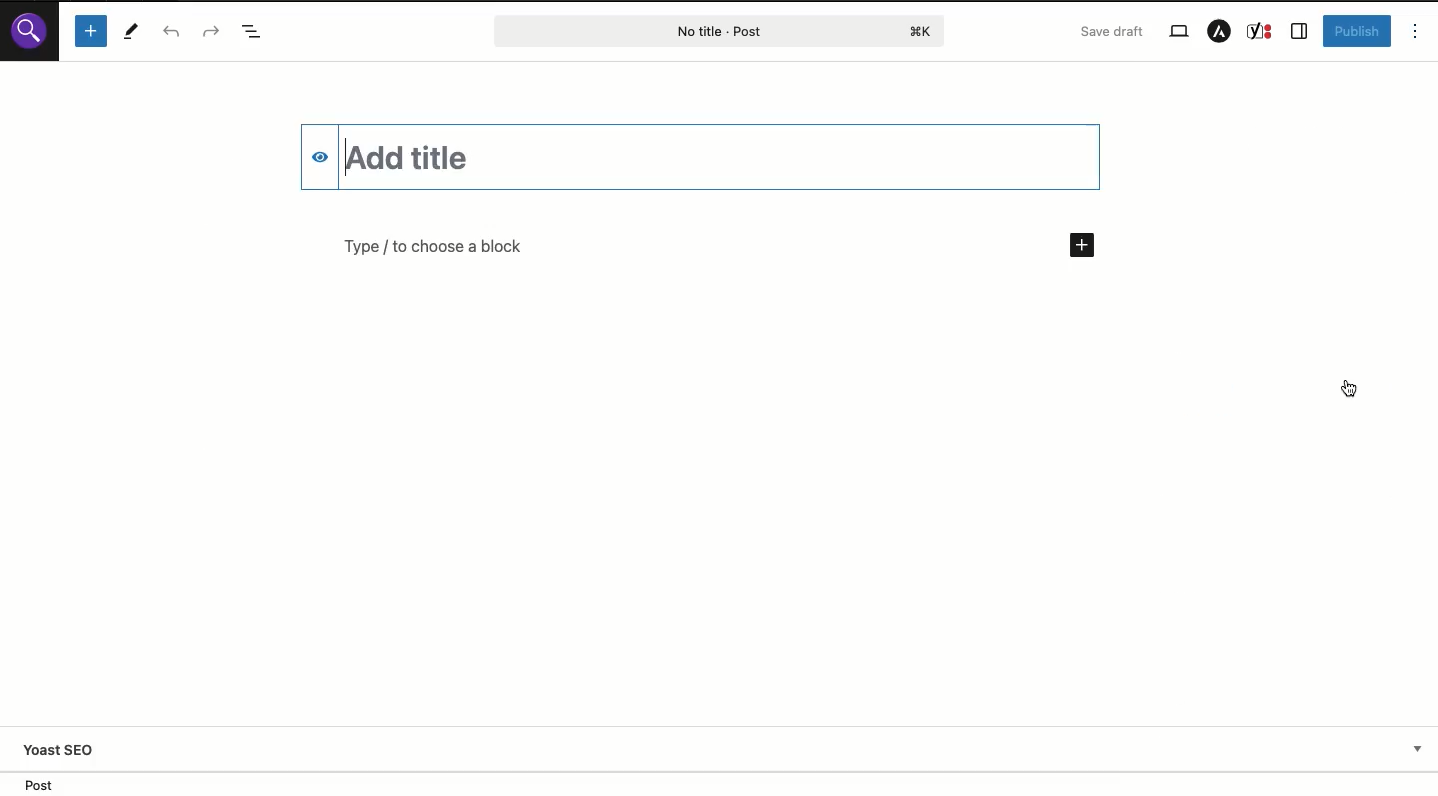 This screenshot has height=796, width=1438. What do you see at coordinates (725, 751) in the screenshot?
I see `Yoast SEO` at bounding box center [725, 751].